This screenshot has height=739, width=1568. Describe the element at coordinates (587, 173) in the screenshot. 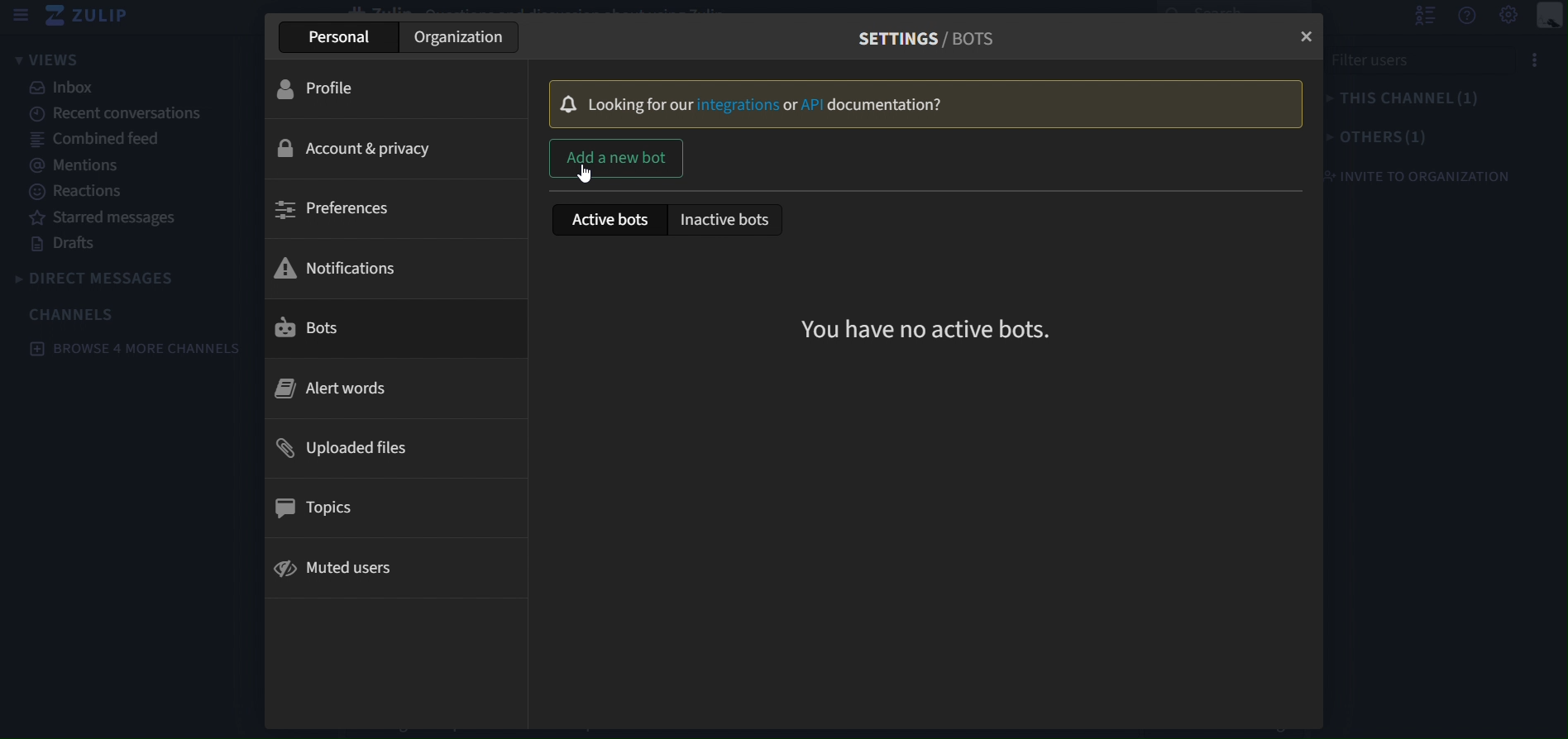

I see `Cursor` at that location.